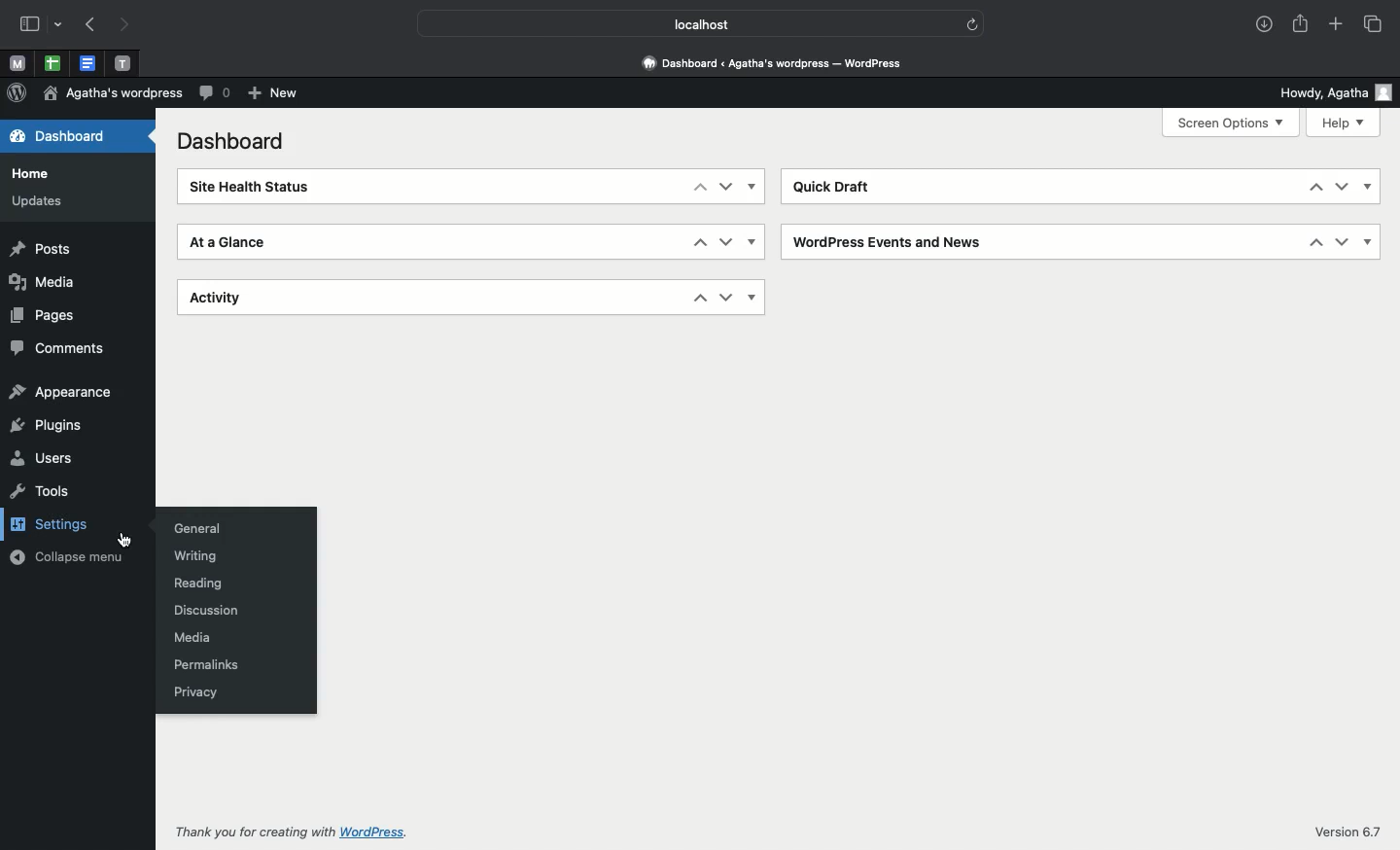 The height and width of the screenshot is (850, 1400). Describe the element at coordinates (699, 299) in the screenshot. I see `Up` at that location.